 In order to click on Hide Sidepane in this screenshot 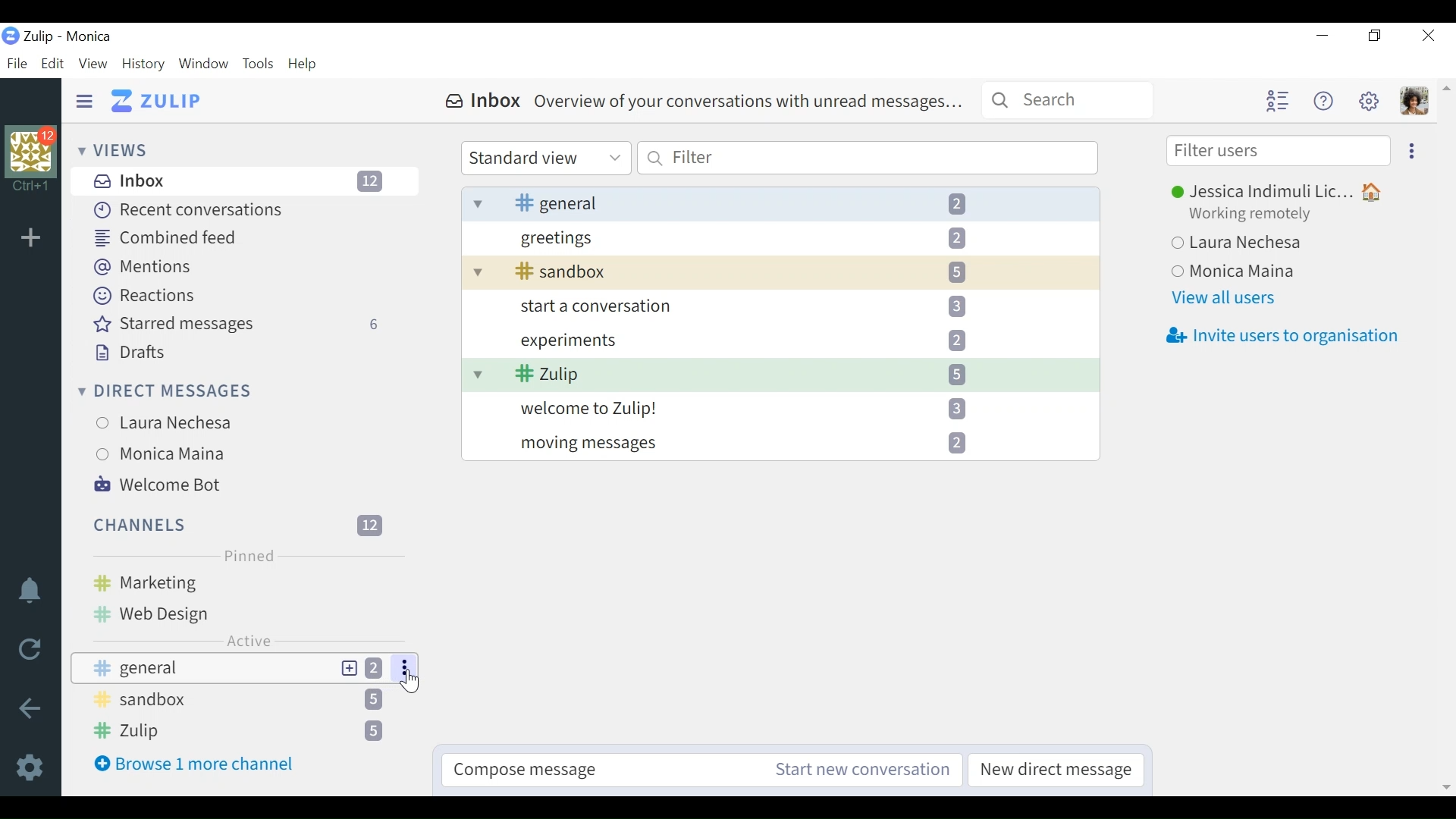, I will do `click(85, 102)`.